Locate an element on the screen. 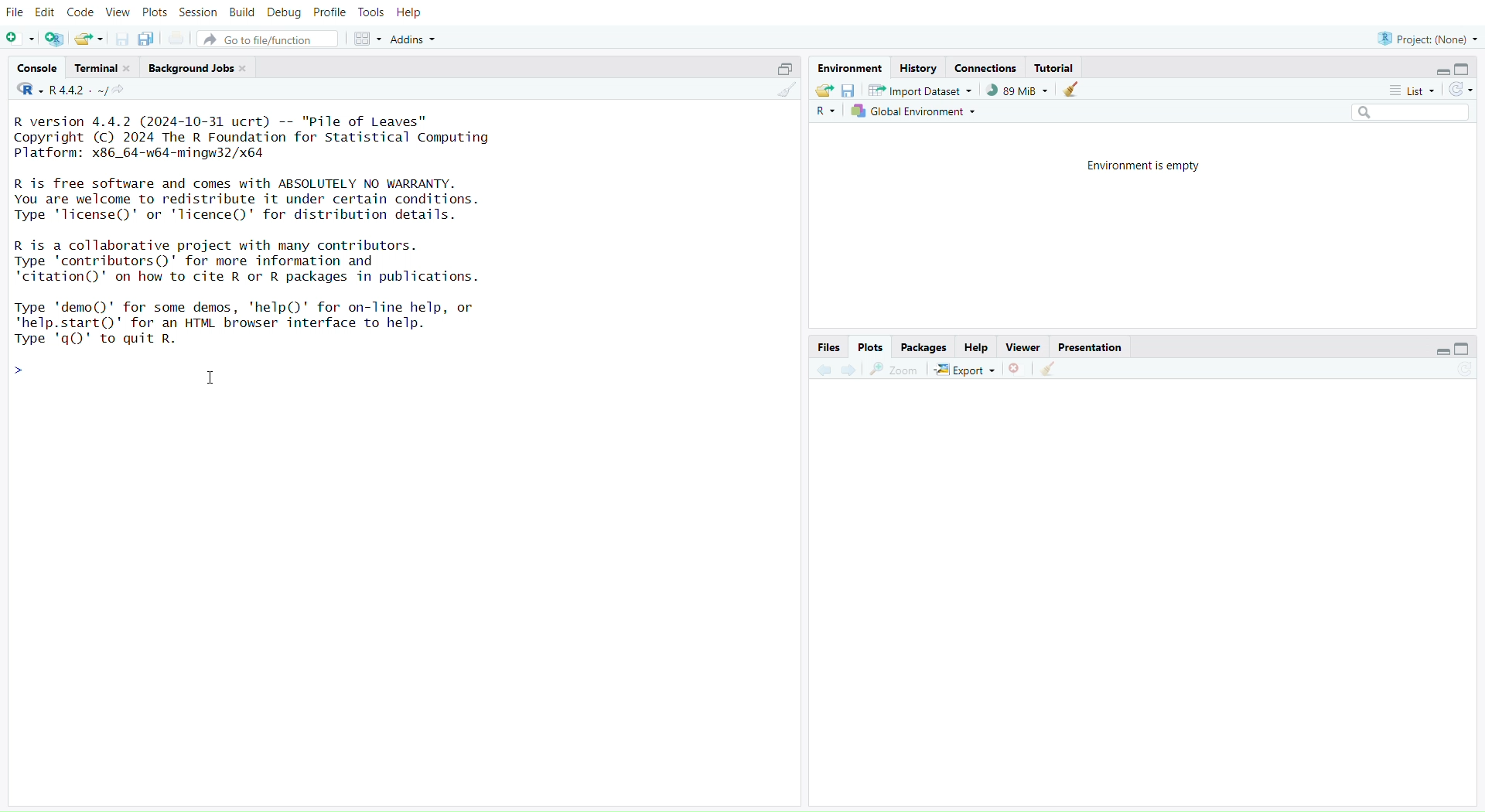 The width and height of the screenshot is (1485, 812). 89kib used by R session (Source: Windows System) is located at coordinates (1016, 90).